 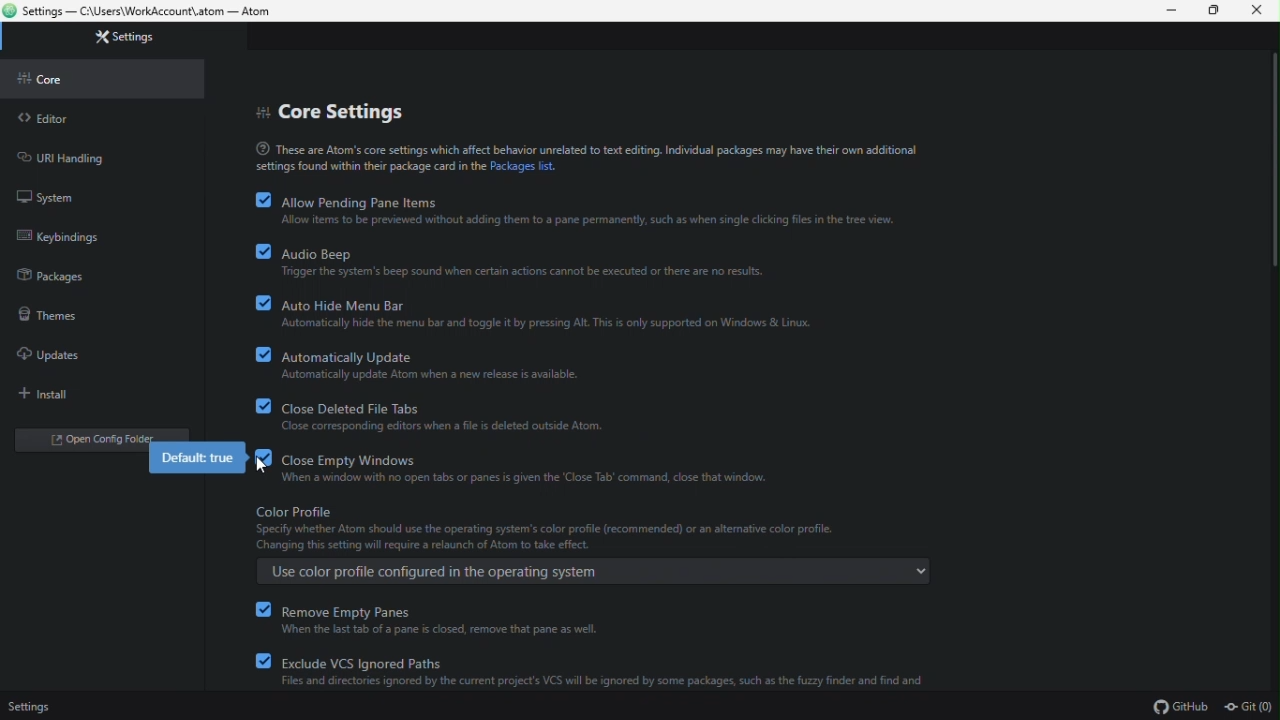 What do you see at coordinates (611, 675) in the screenshot?
I see `exclude VCS ignored paths` at bounding box center [611, 675].